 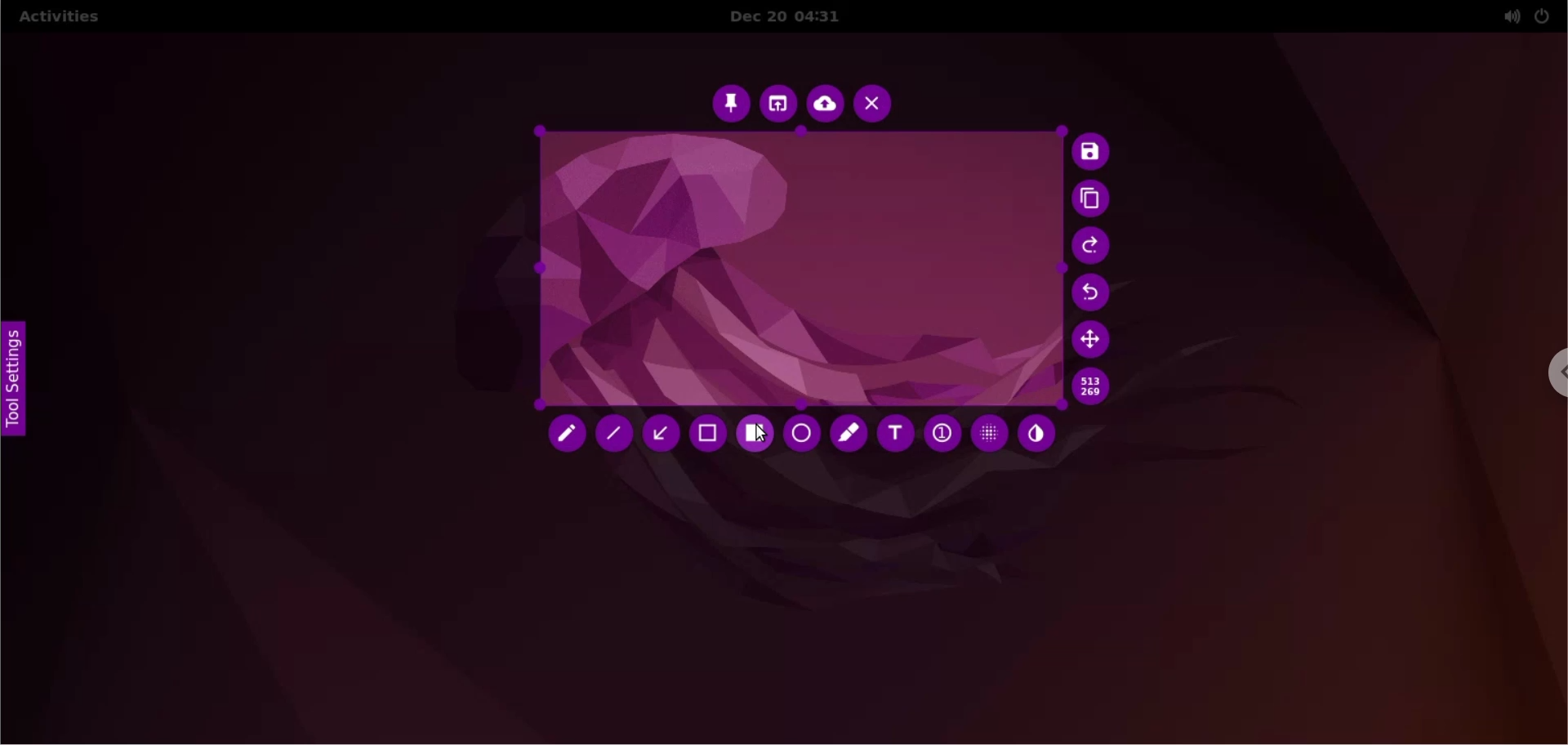 What do you see at coordinates (1092, 340) in the screenshot?
I see `move selection` at bounding box center [1092, 340].